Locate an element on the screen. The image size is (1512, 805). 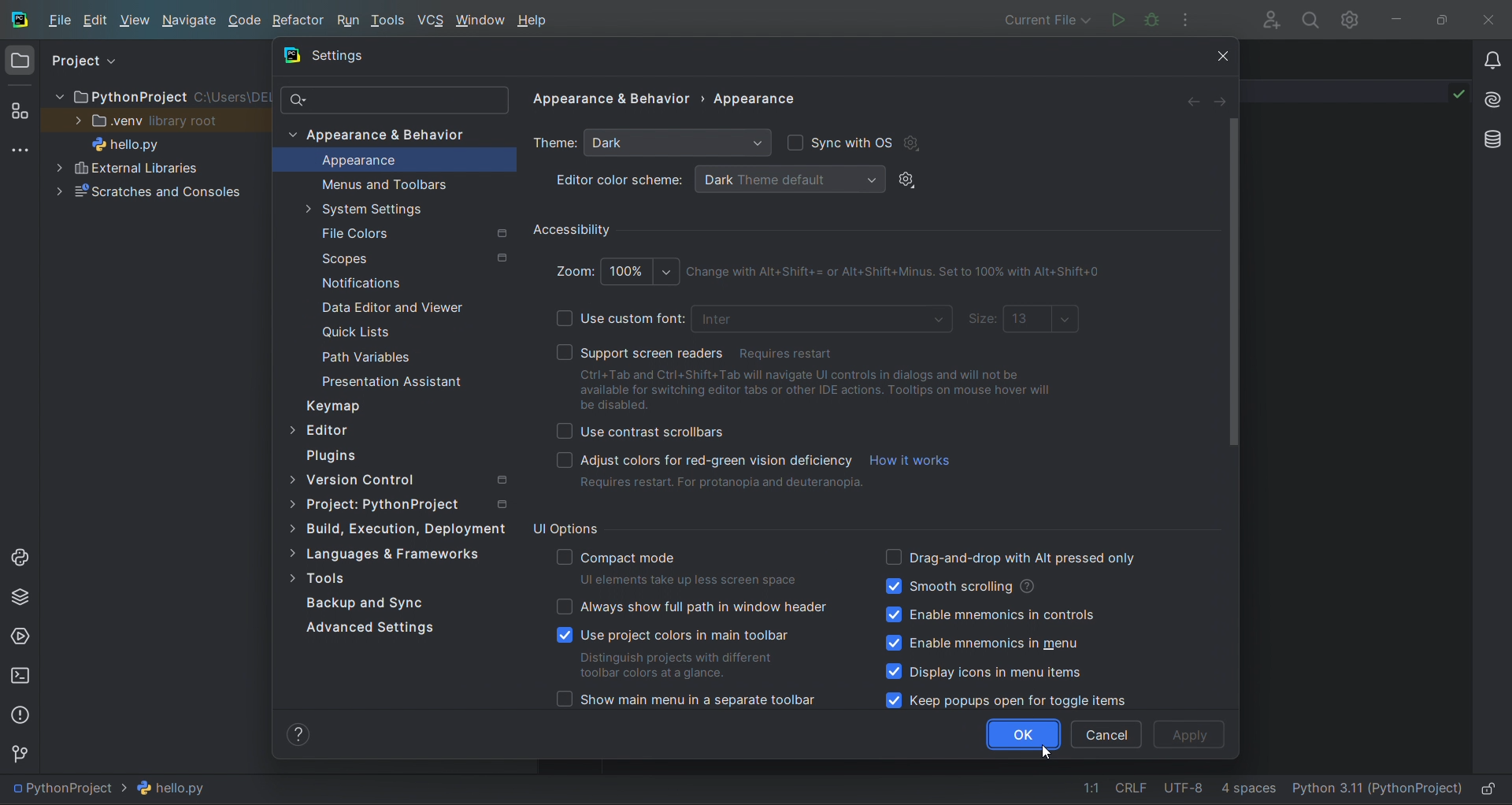
close is located at coordinates (1493, 20).